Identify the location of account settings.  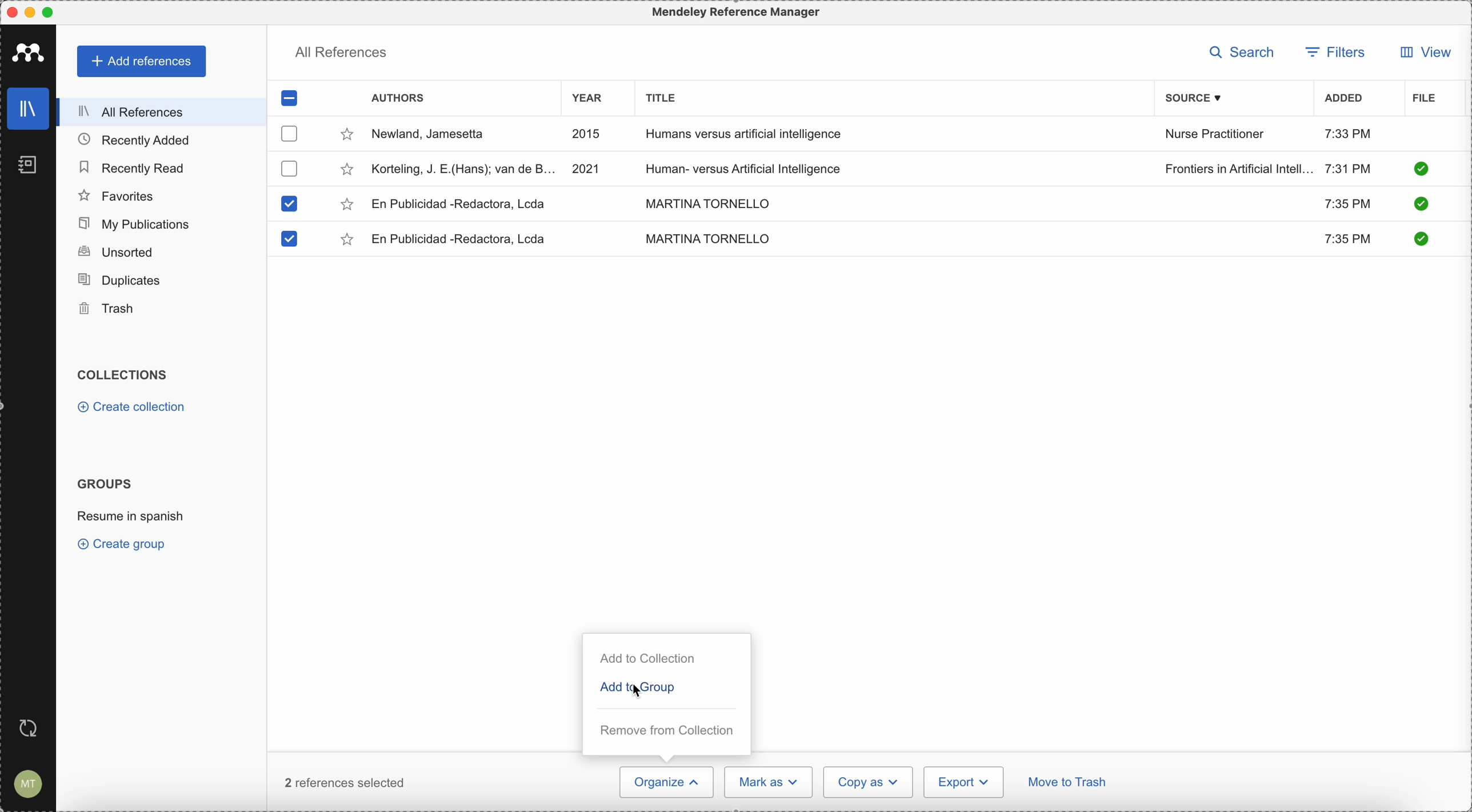
(26, 785).